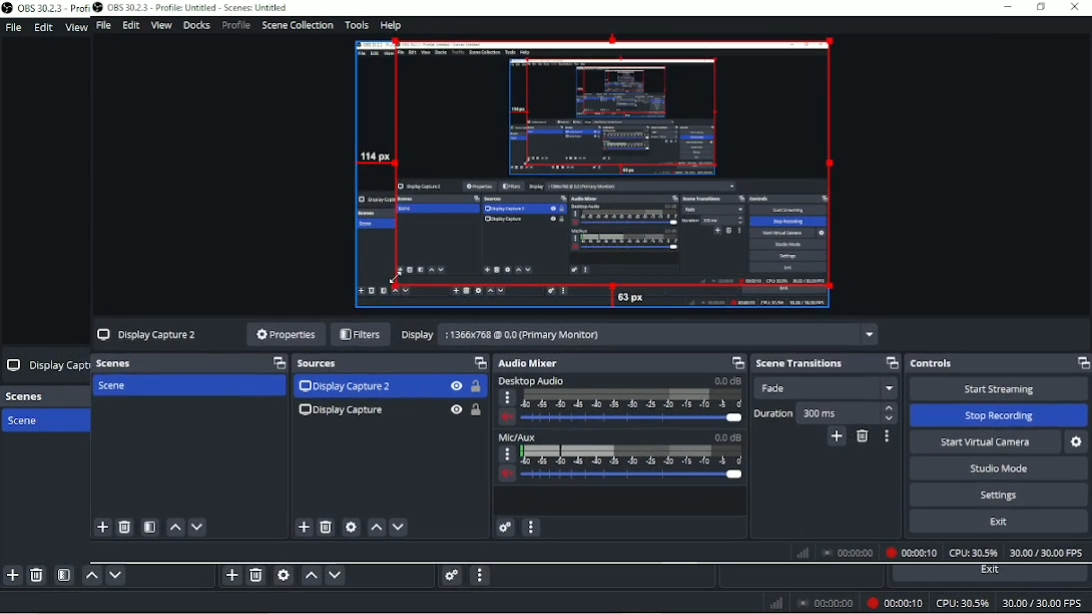  What do you see at coordinates (125, 387) in the screenshot?
I see `Scene` at bounding box center [125, 387].